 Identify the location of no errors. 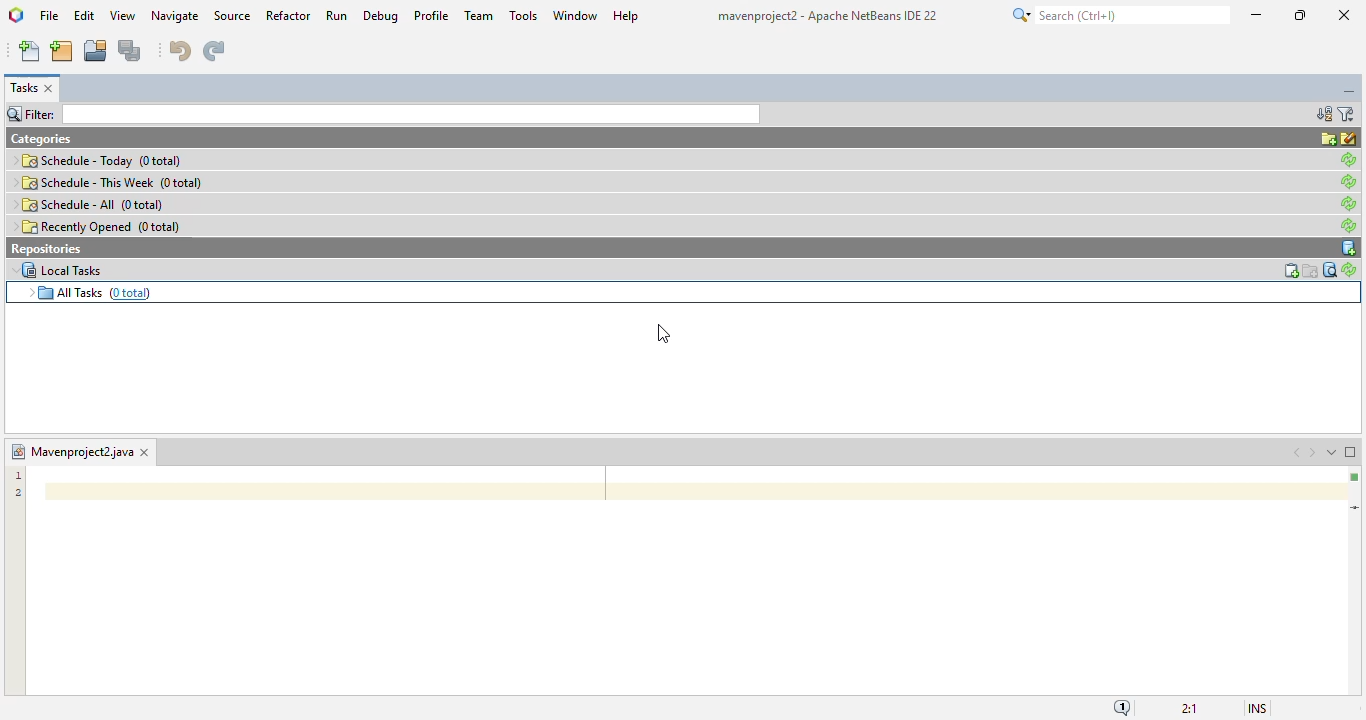
(1354, 477).